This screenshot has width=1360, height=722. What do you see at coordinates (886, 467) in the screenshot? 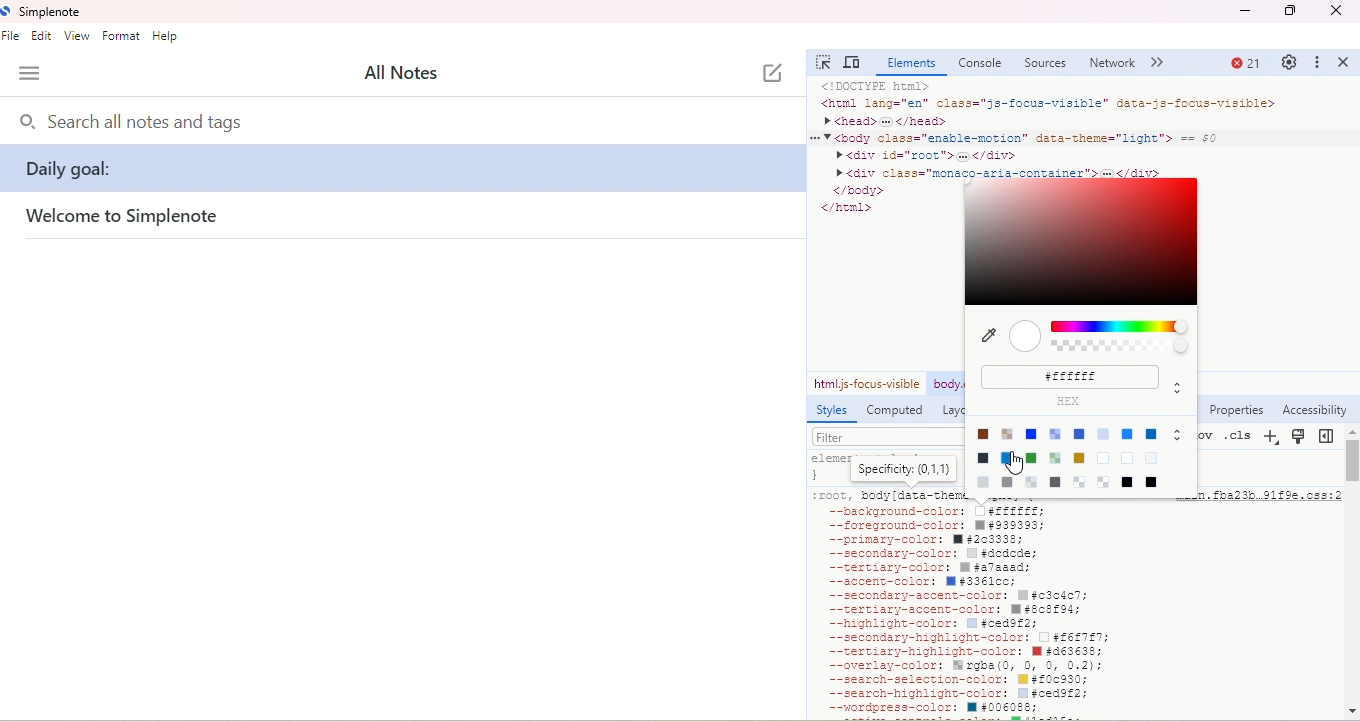
I see `element style` at bounding box center [886, 467].